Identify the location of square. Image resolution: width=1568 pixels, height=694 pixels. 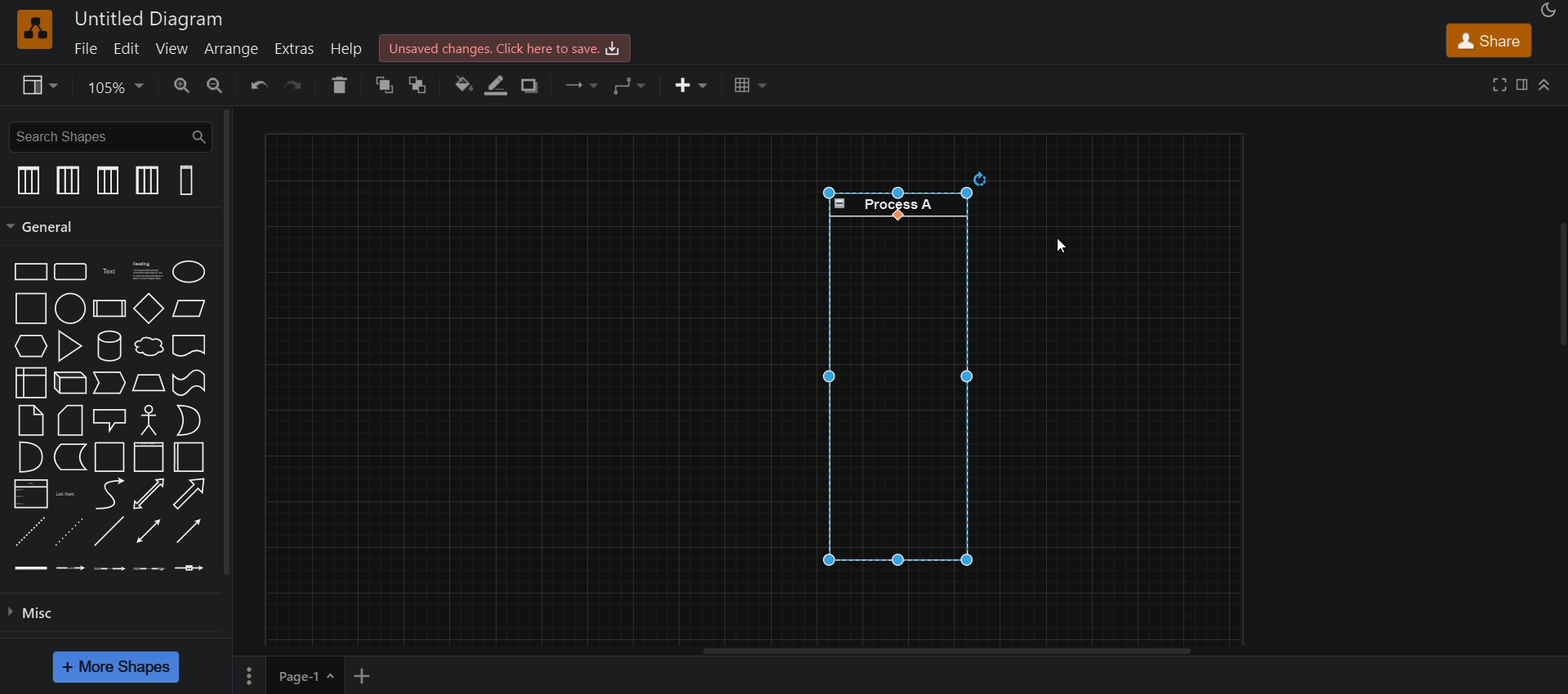
(28, 309).